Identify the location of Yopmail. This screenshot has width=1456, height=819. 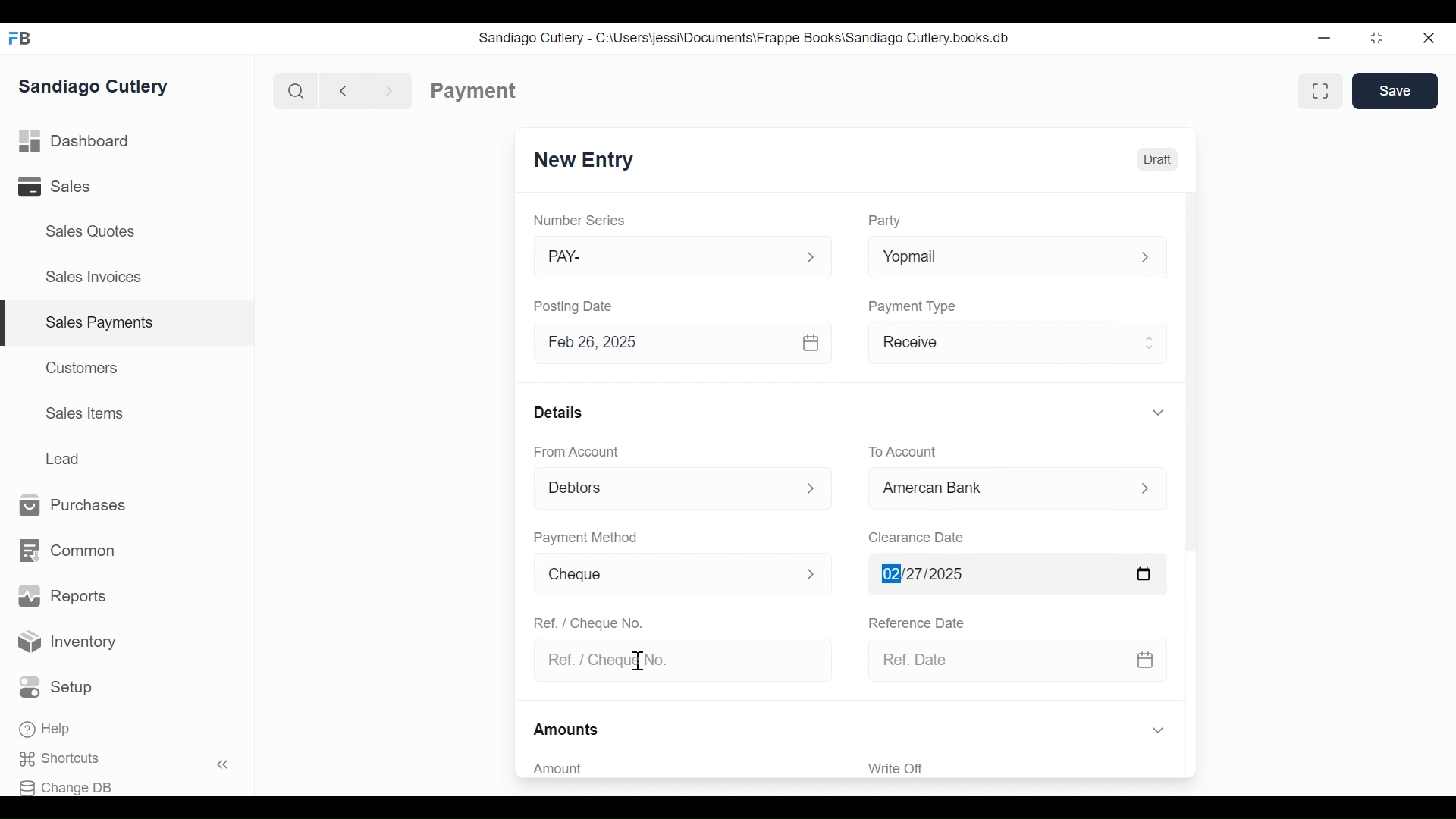
(993, 258).